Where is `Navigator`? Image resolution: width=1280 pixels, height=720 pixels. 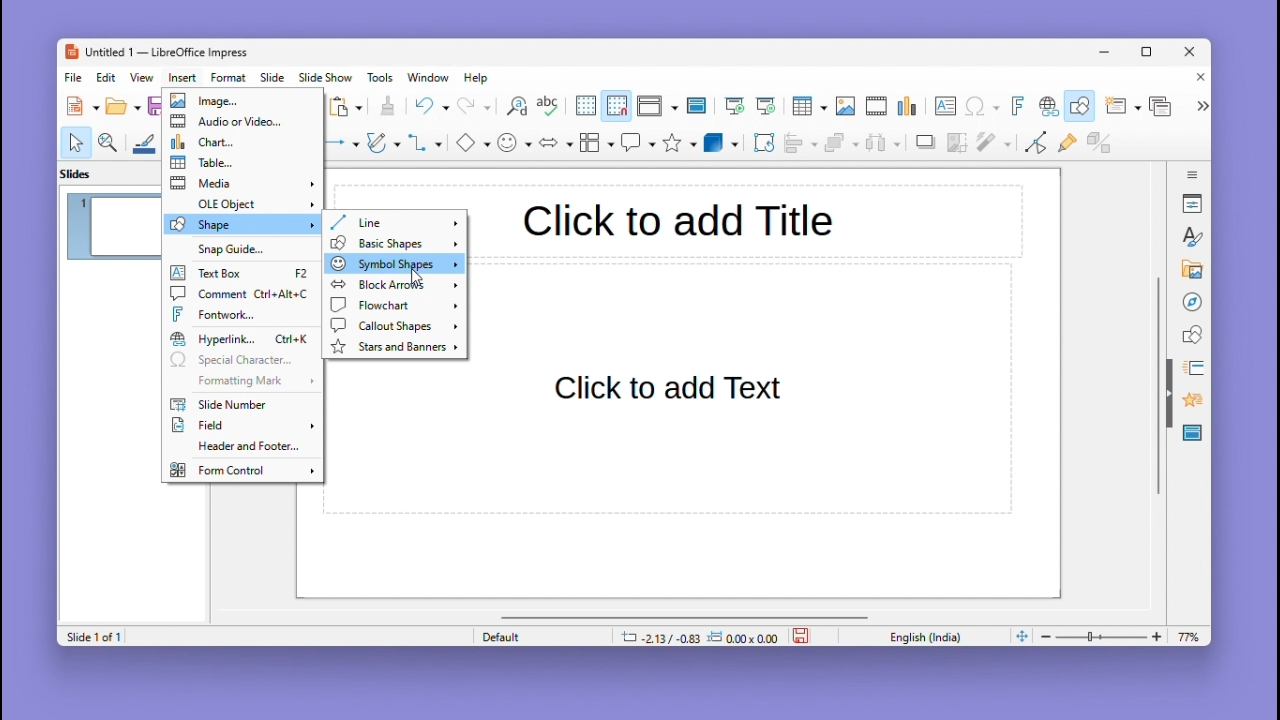 Navigator is located at coordinates (1192, 300).